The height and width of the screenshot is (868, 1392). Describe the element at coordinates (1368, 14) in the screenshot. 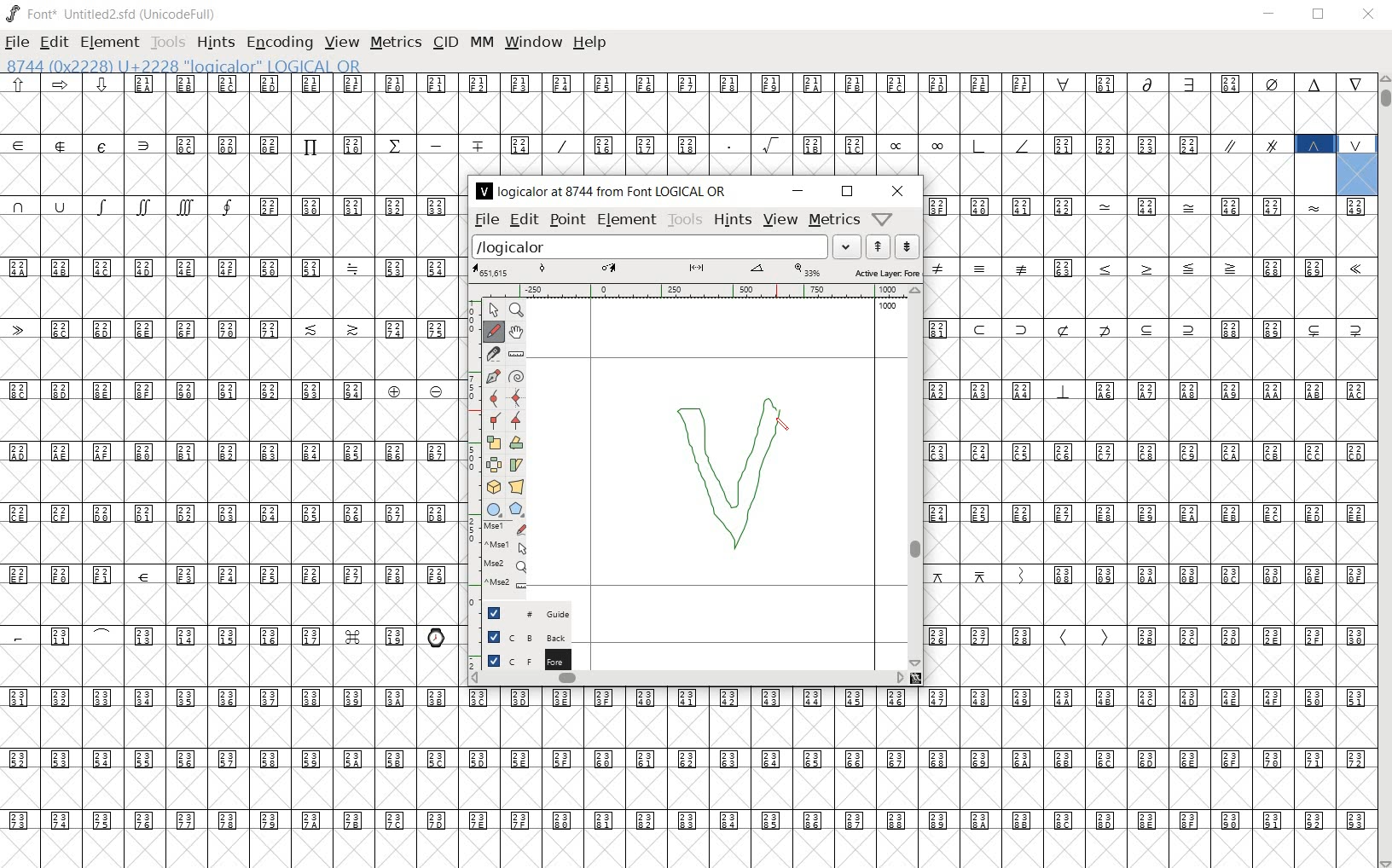

I see `close` at that location.